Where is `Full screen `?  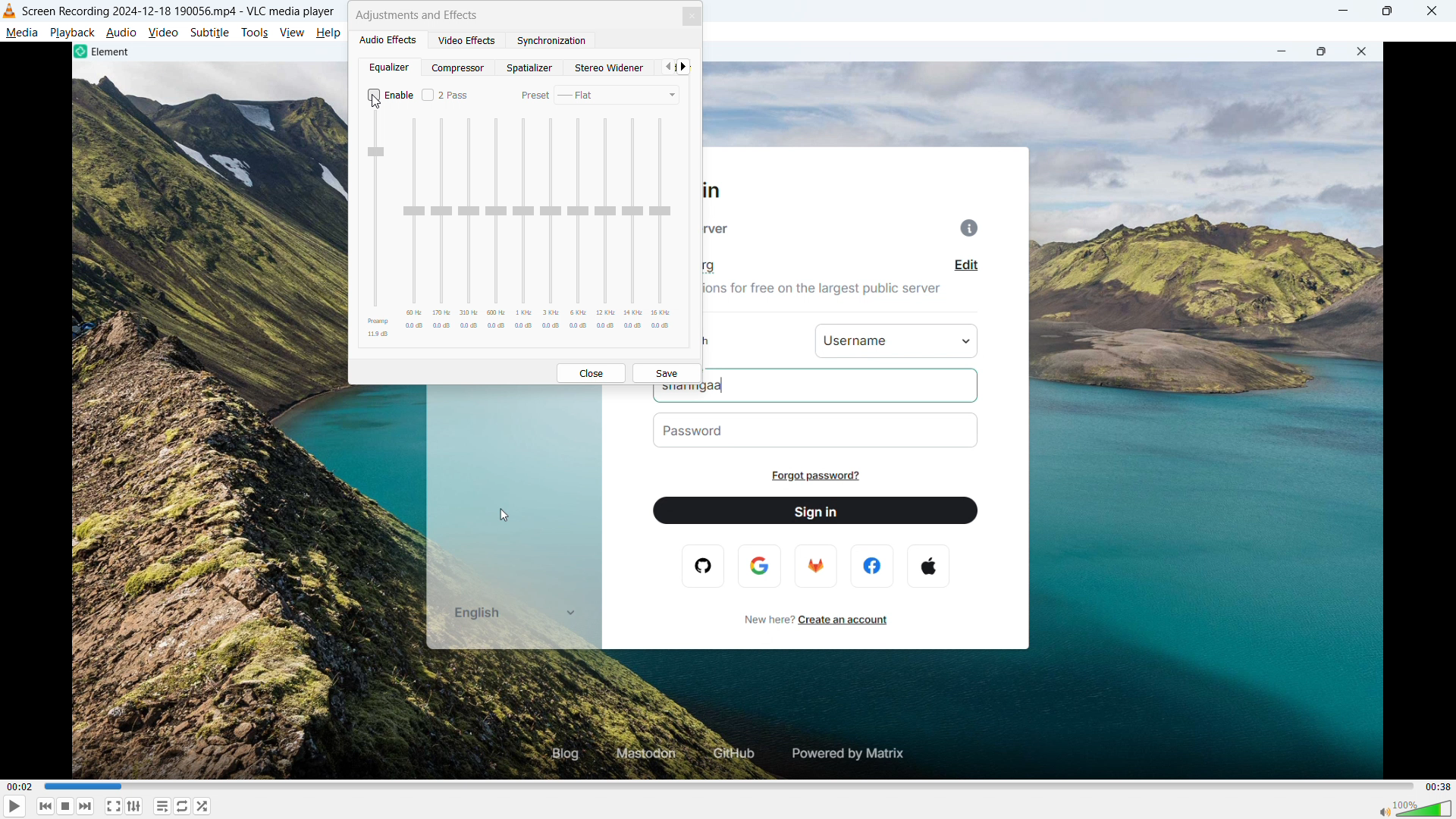
Full screen  is located at coordinates (113, 806).